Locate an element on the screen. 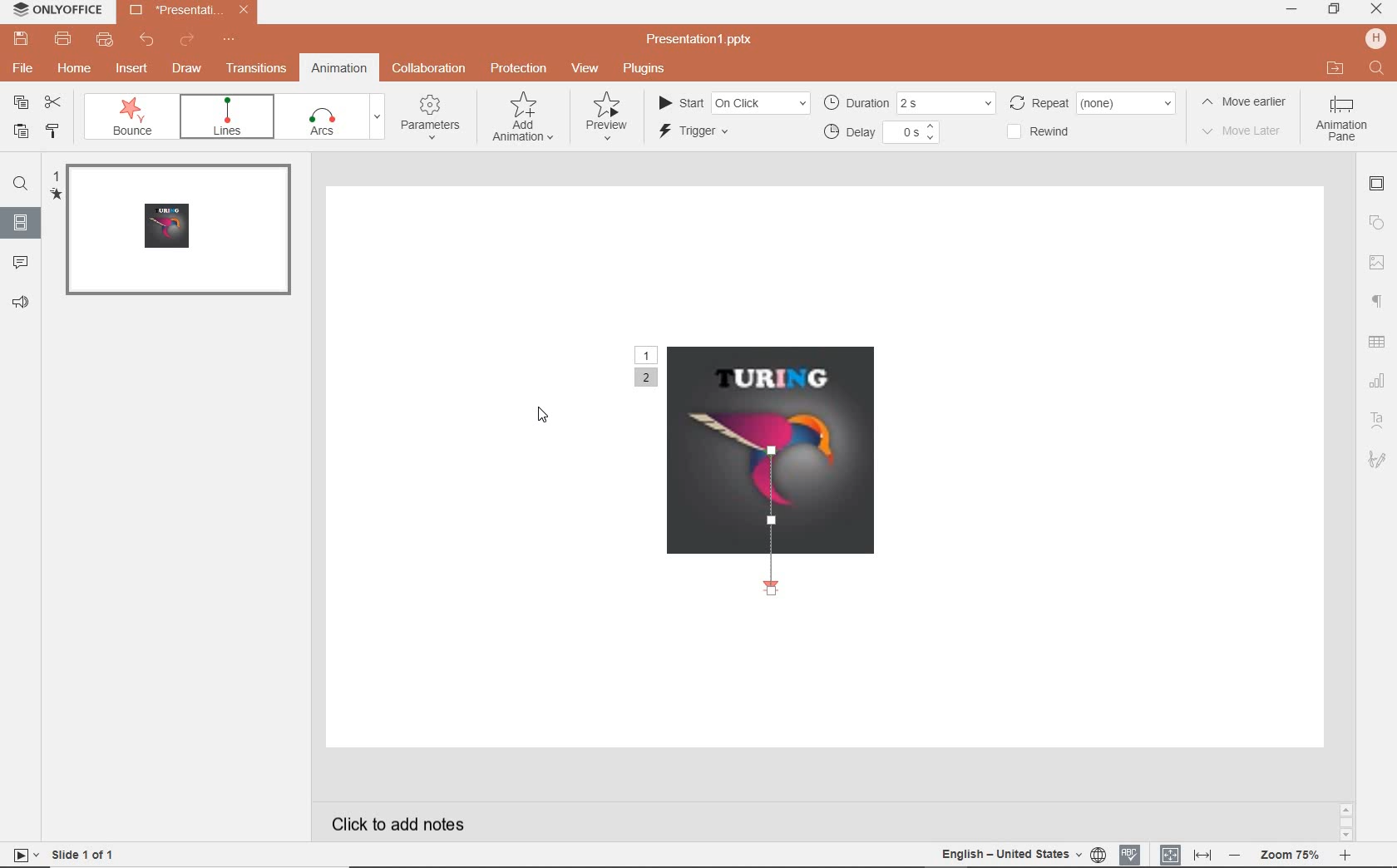  draw is located at coordinates (190, 70).